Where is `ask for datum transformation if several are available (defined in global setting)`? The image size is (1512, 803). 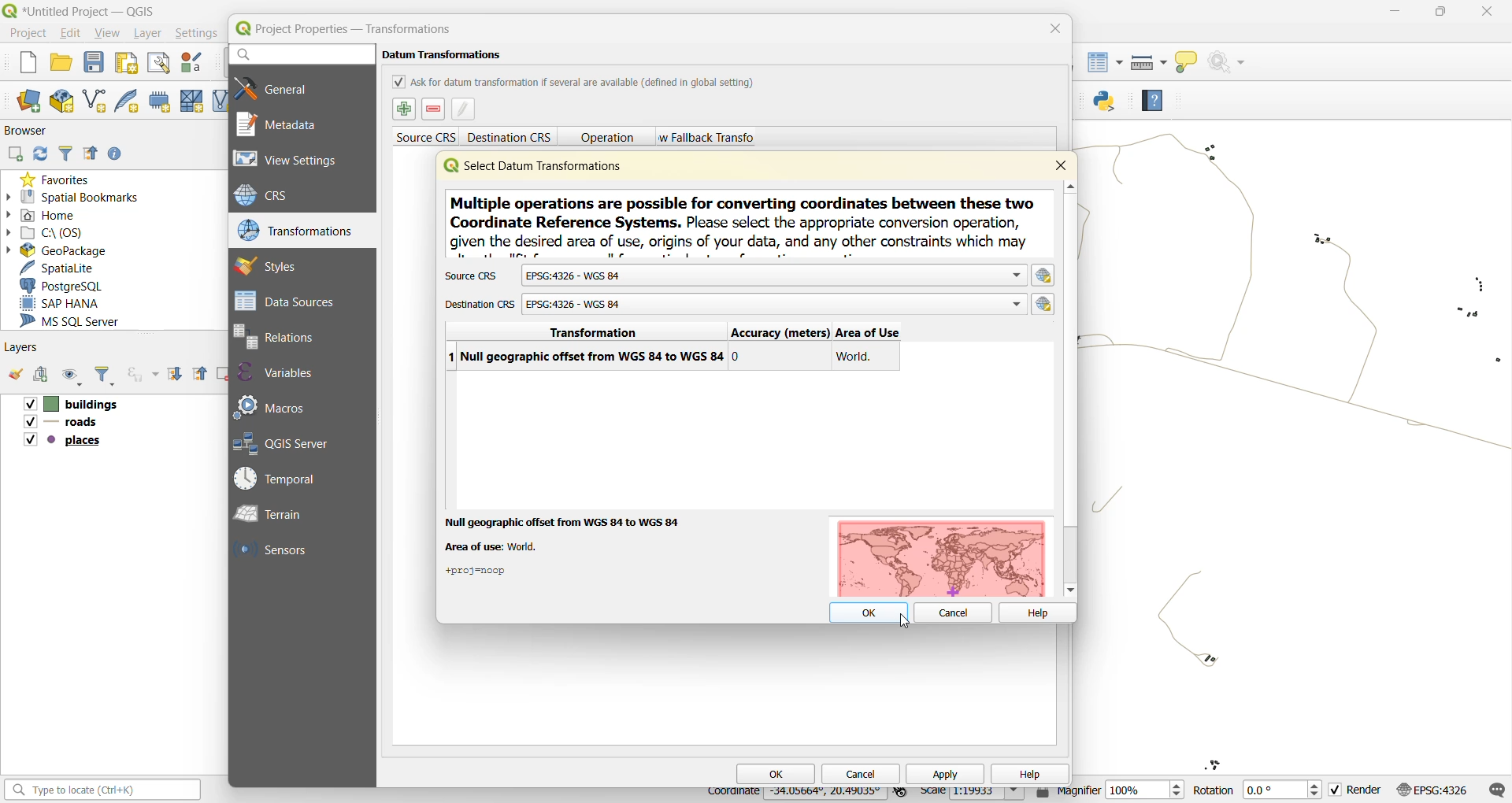
ask for datum transformation if several are available (defined in global setting) is located at coordinates (574, 81).